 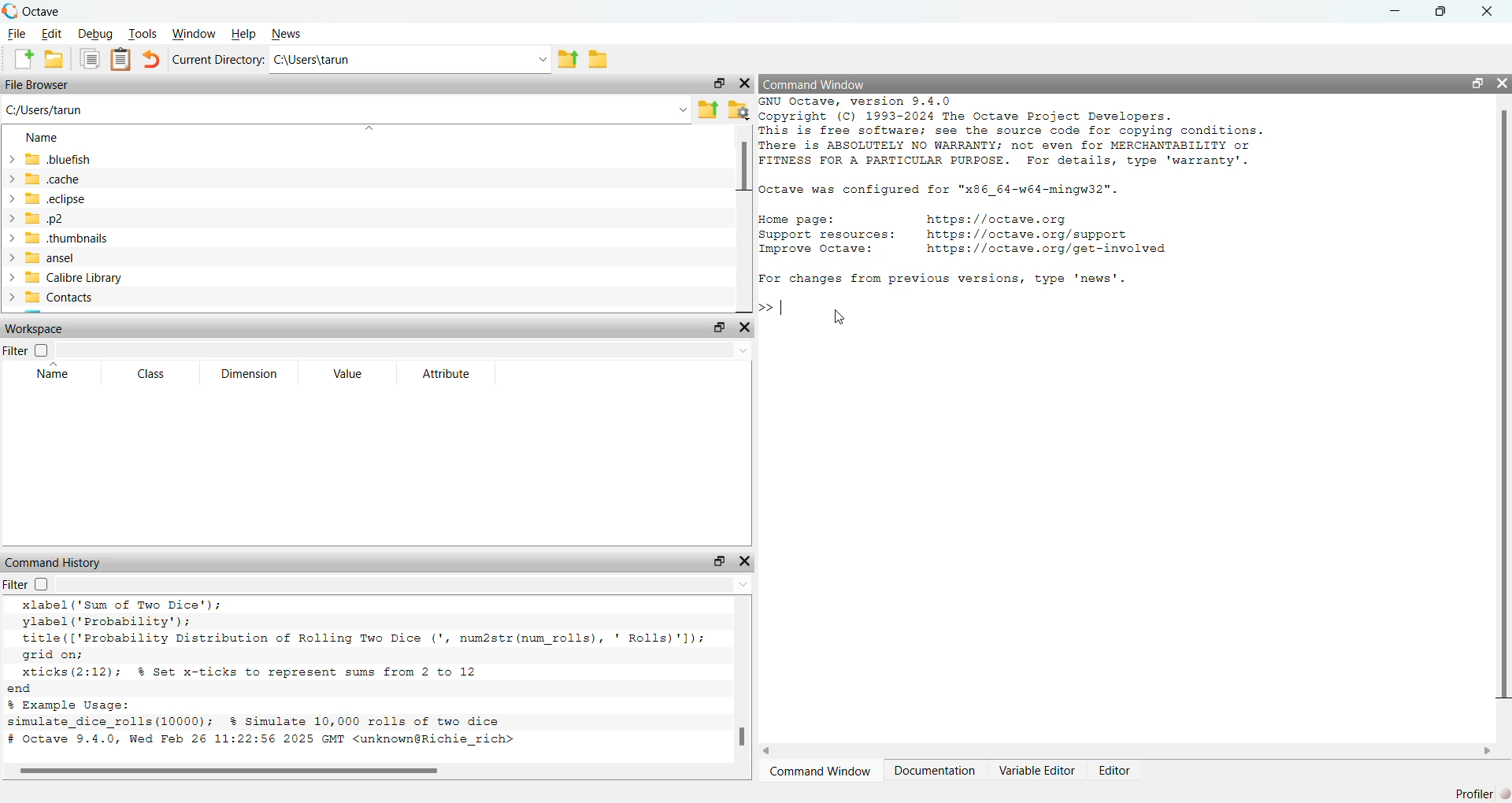 I want to click on Close, so click(x=747, y=327).